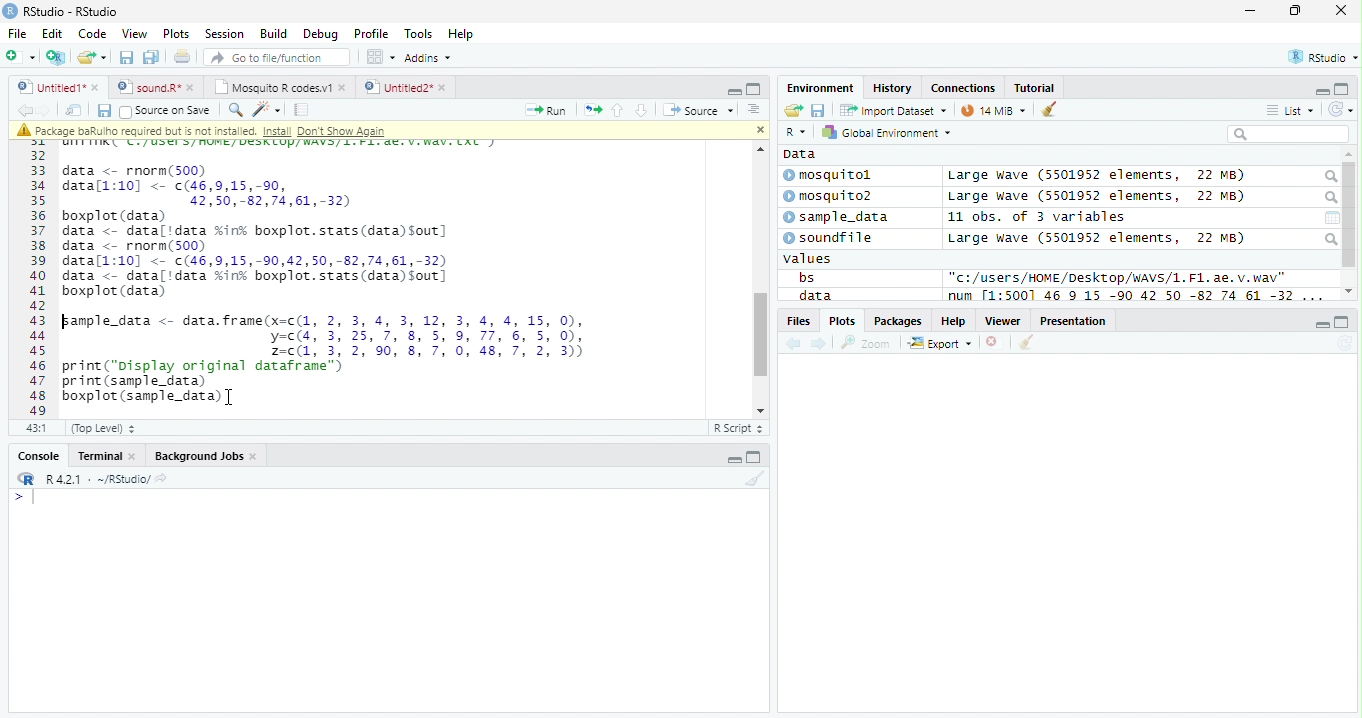 Image resolution: width=1362 pixels, height=718 pixels. Describe the element at coordinates (1100, 197) in the screenshot. I see `Large wave (5501952 elements, 22 MB)` at that location.